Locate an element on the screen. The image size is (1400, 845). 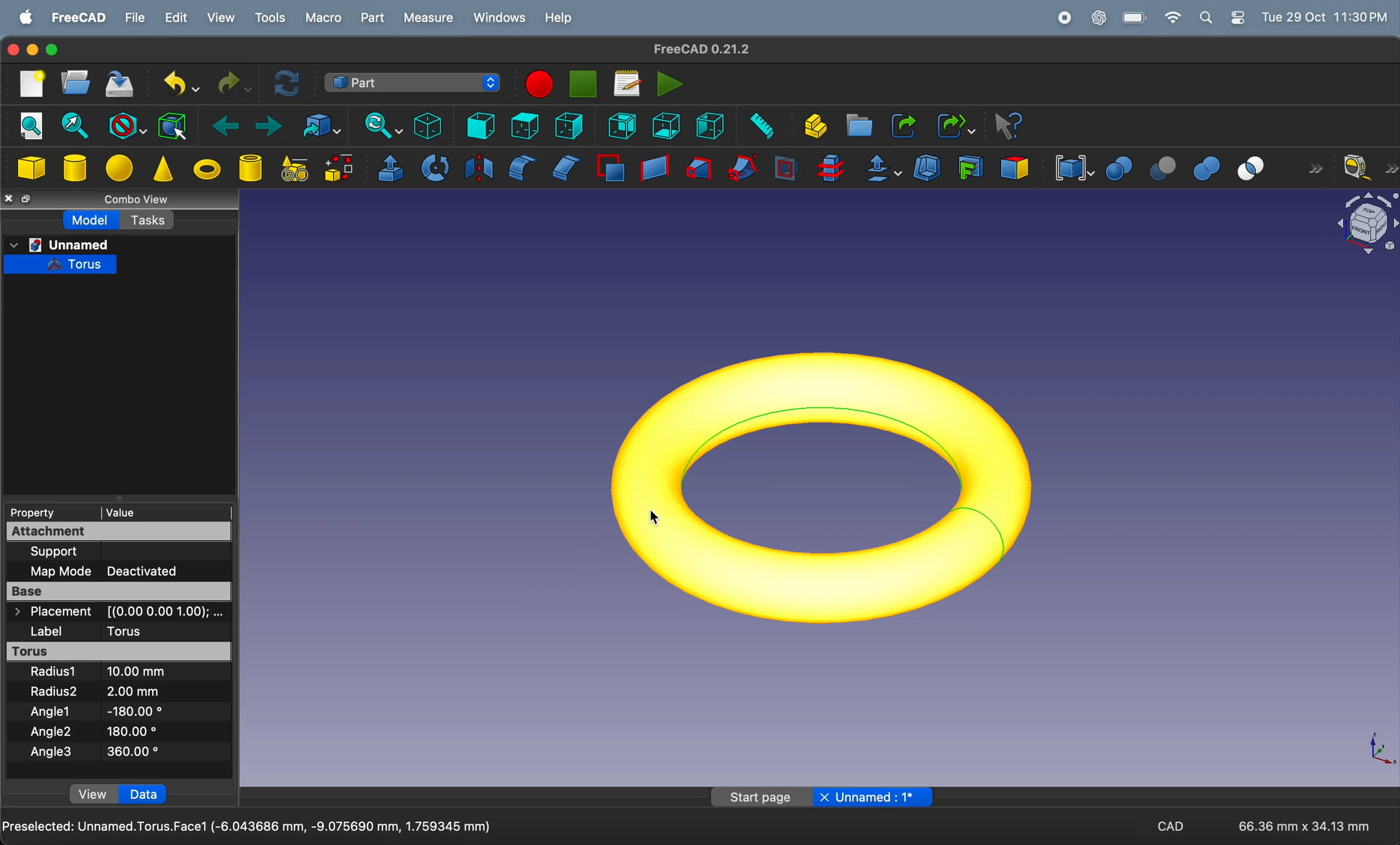
base is located at coordinates (120, 591).